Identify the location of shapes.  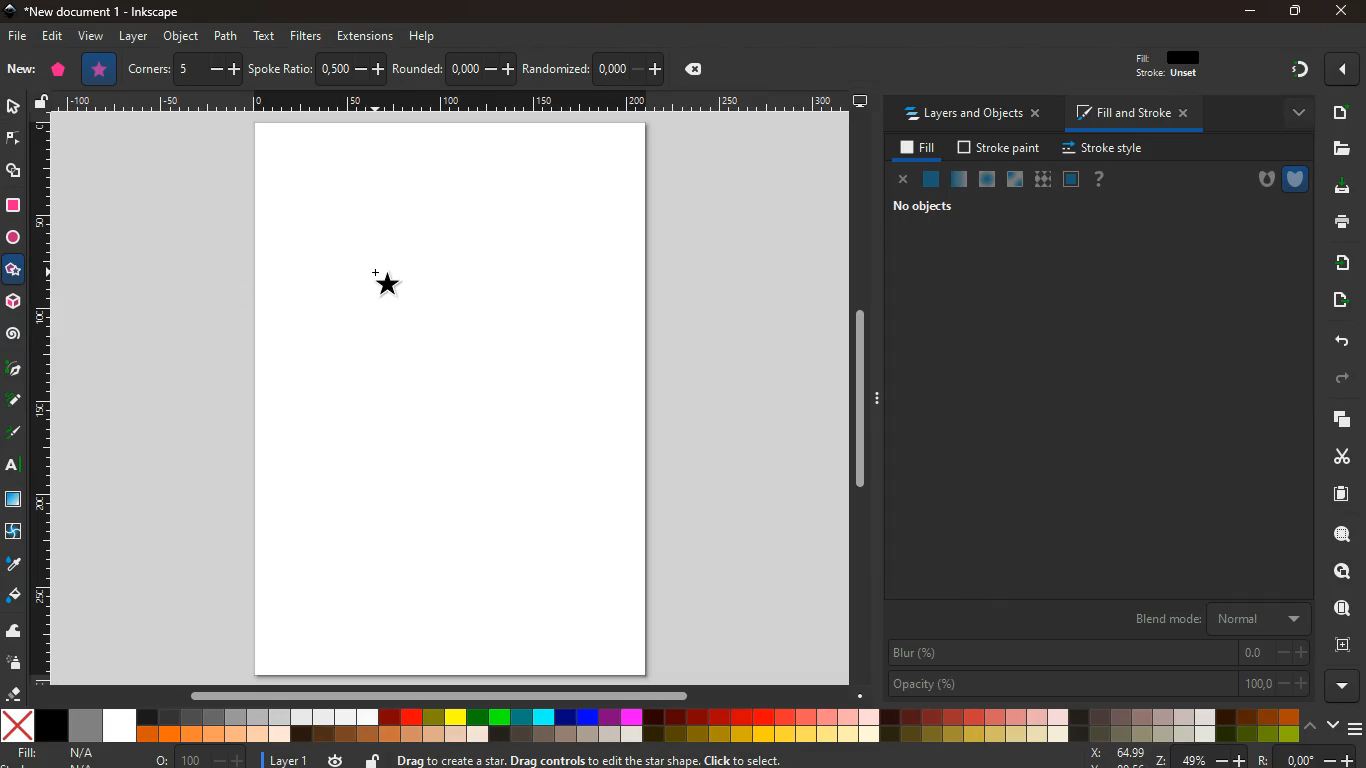
(14, 173).